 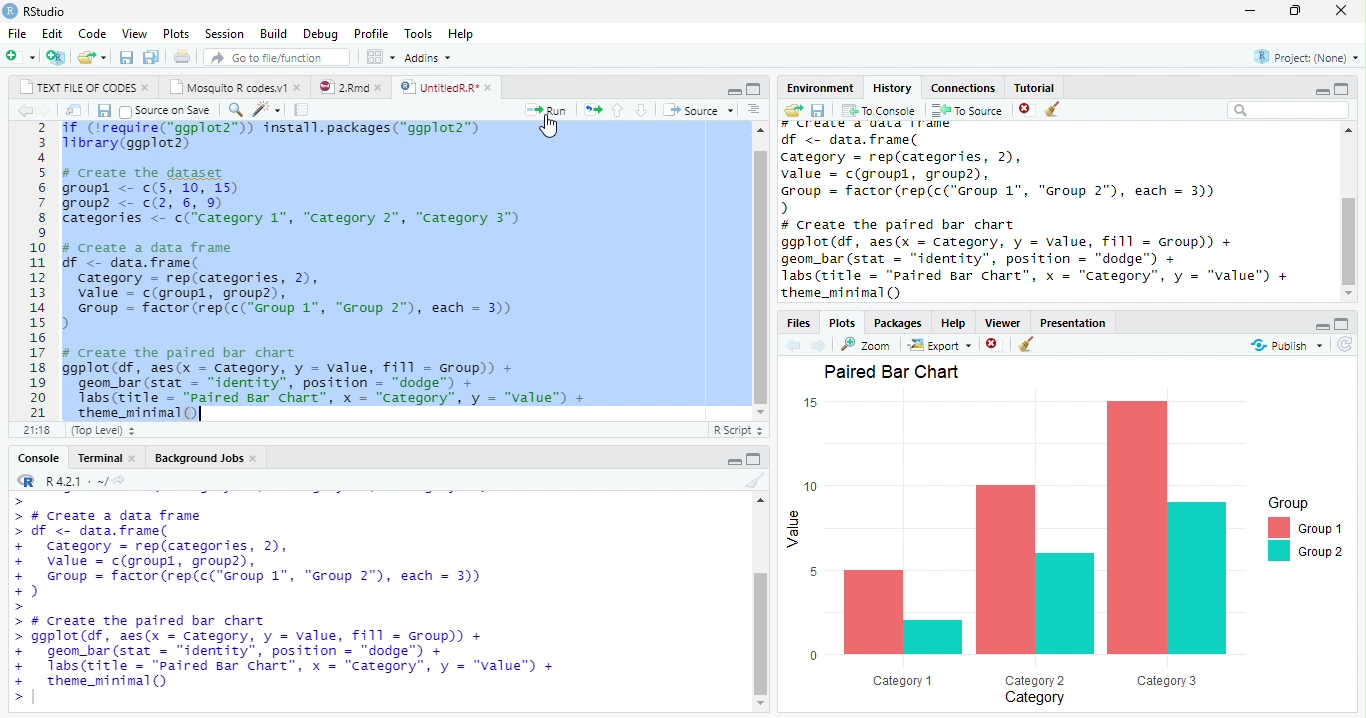 I want to click on close, so click(x=133, y=457).